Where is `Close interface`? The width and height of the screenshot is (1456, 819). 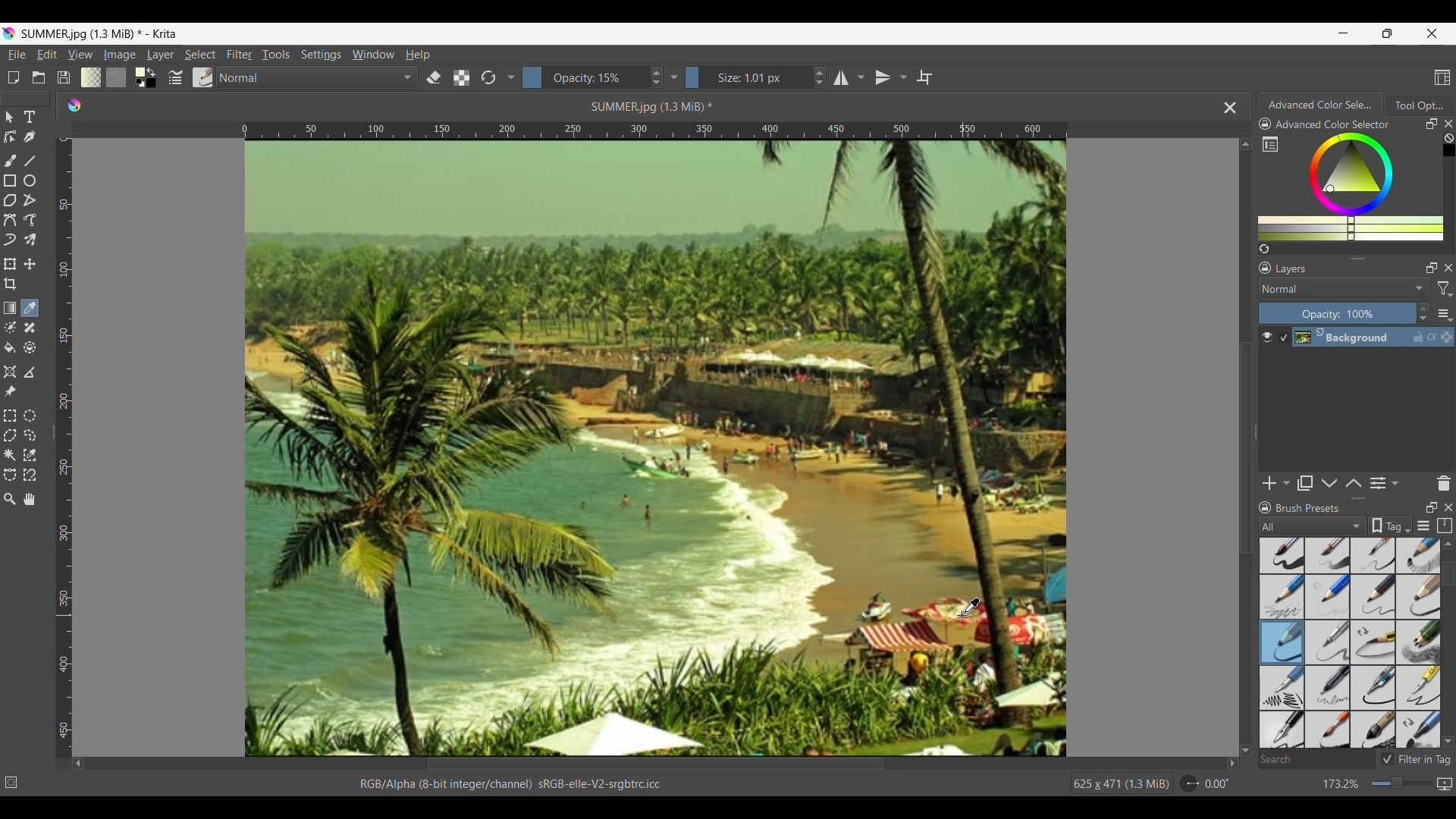 Close interface is located at coordinates (1432, 33).